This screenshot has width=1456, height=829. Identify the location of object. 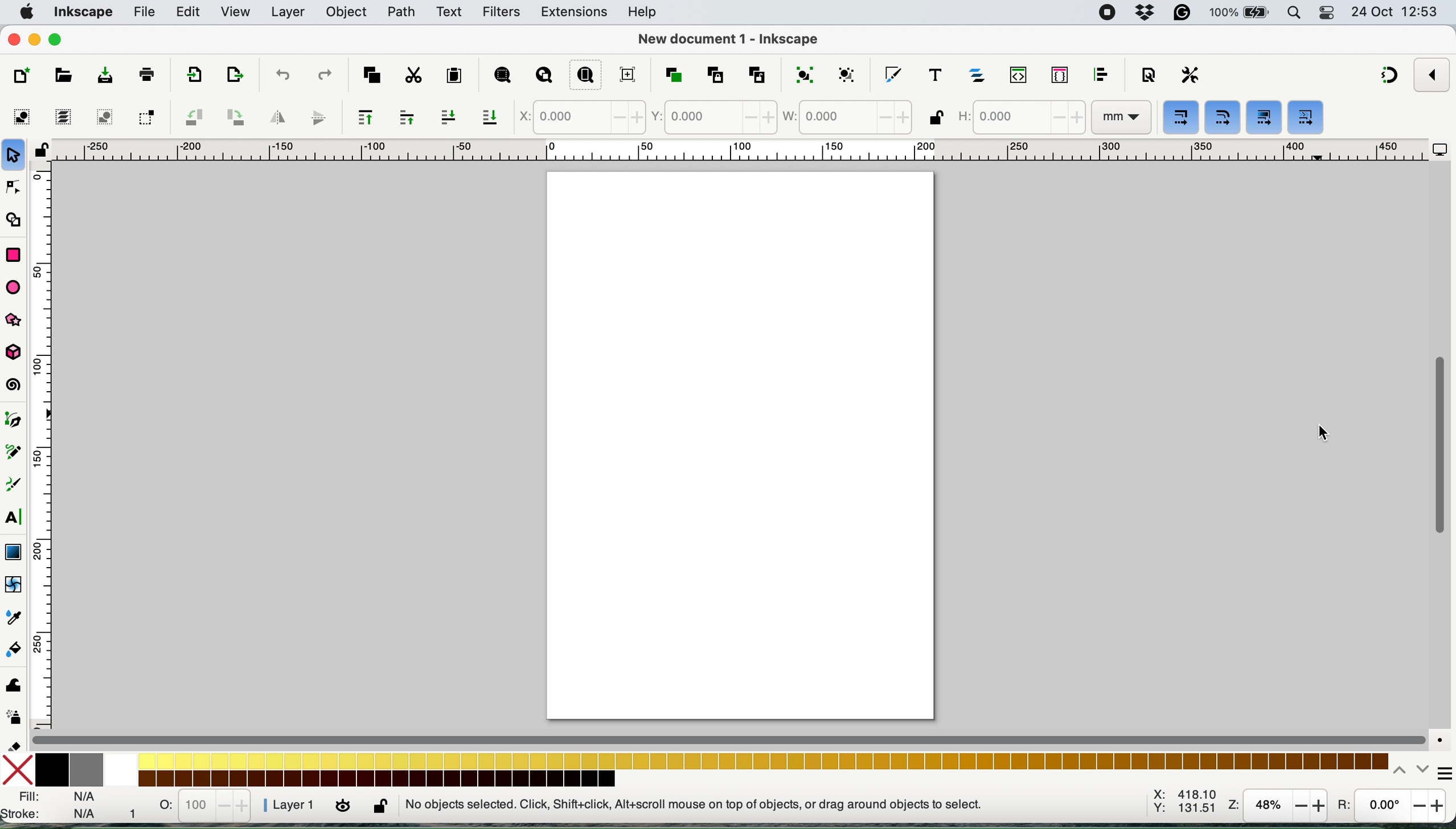
(350, 13).